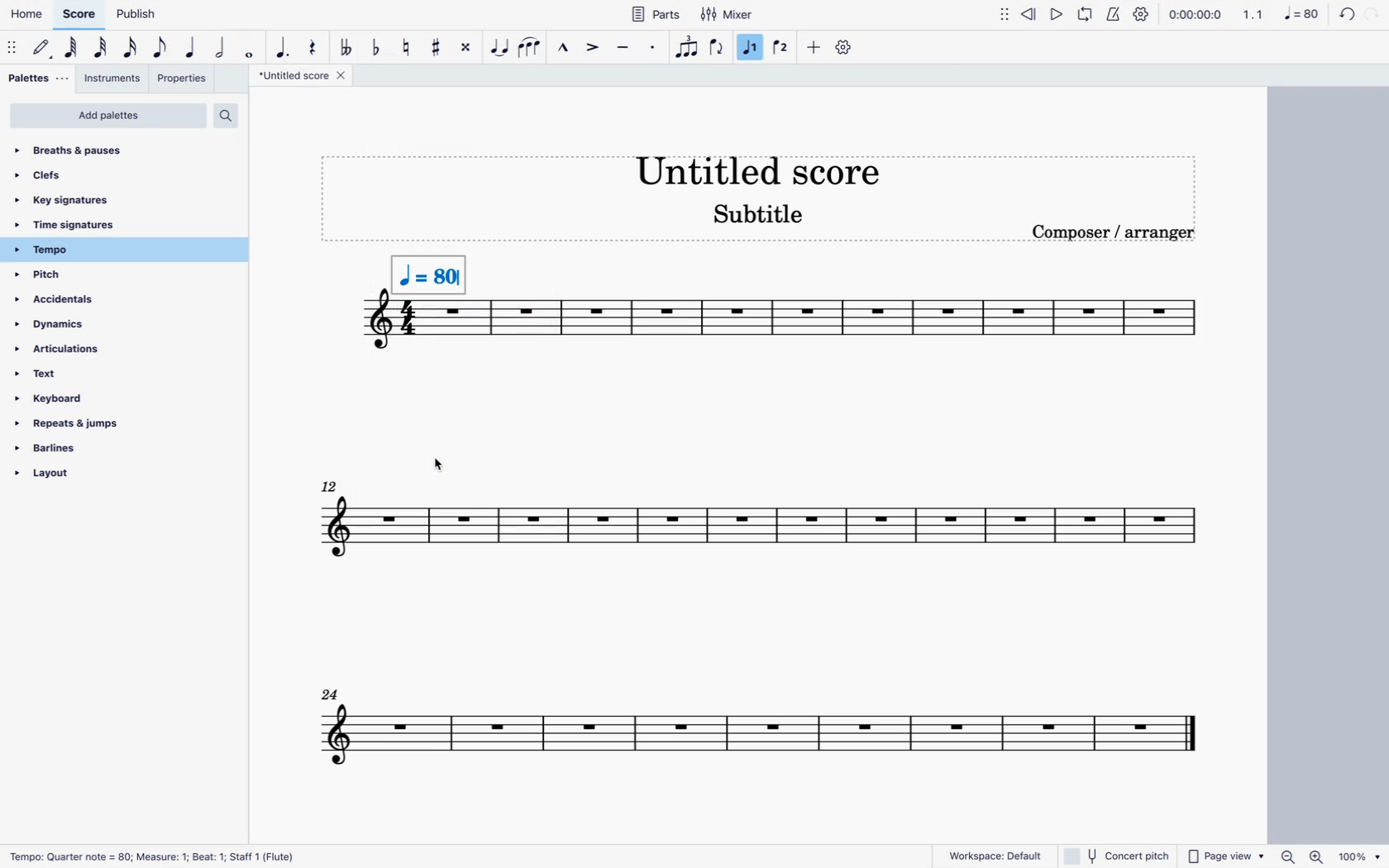 The image size is (1389, 868). I want to click on rewind, so click(1030, 16).